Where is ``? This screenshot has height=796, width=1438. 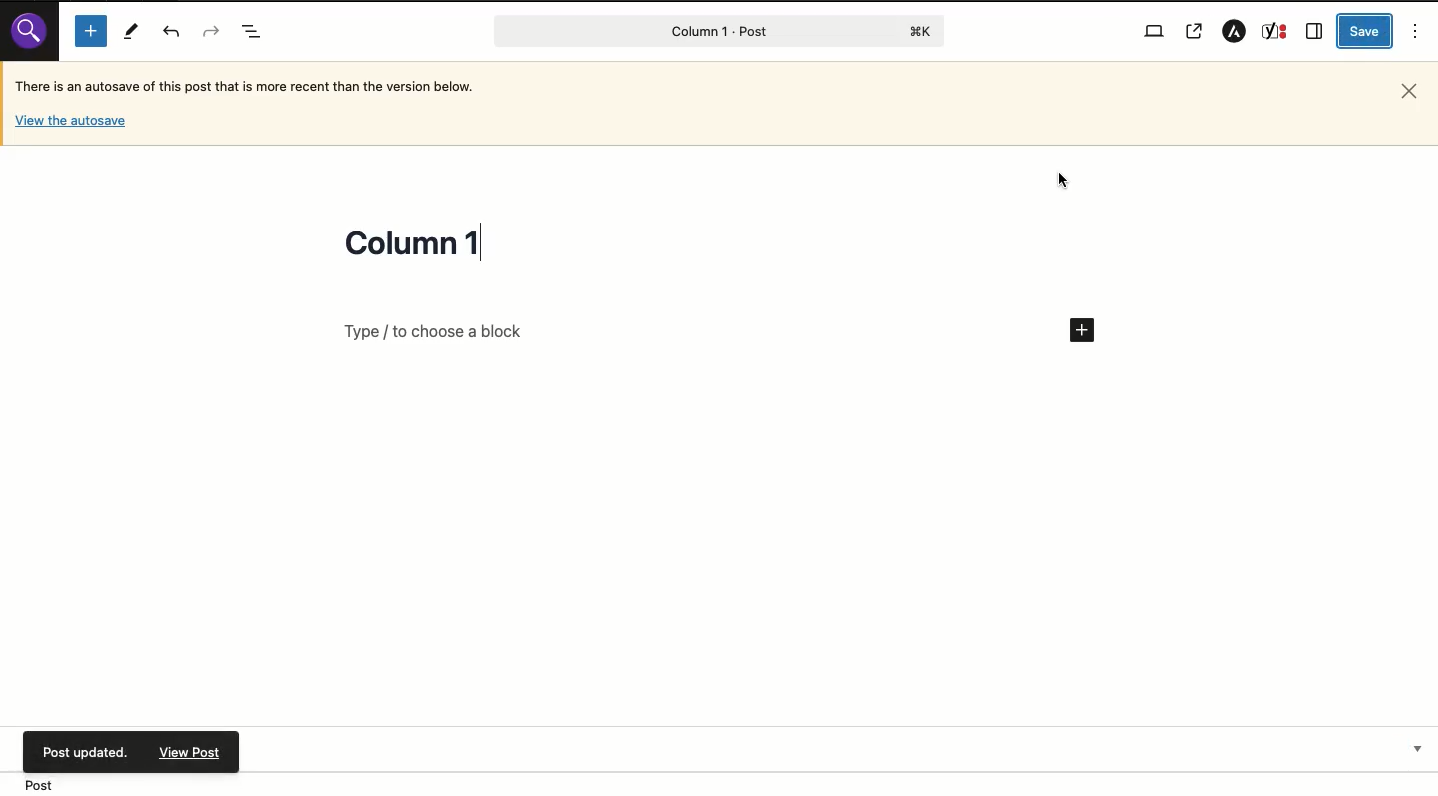
 is located at coordinates (84, 750).